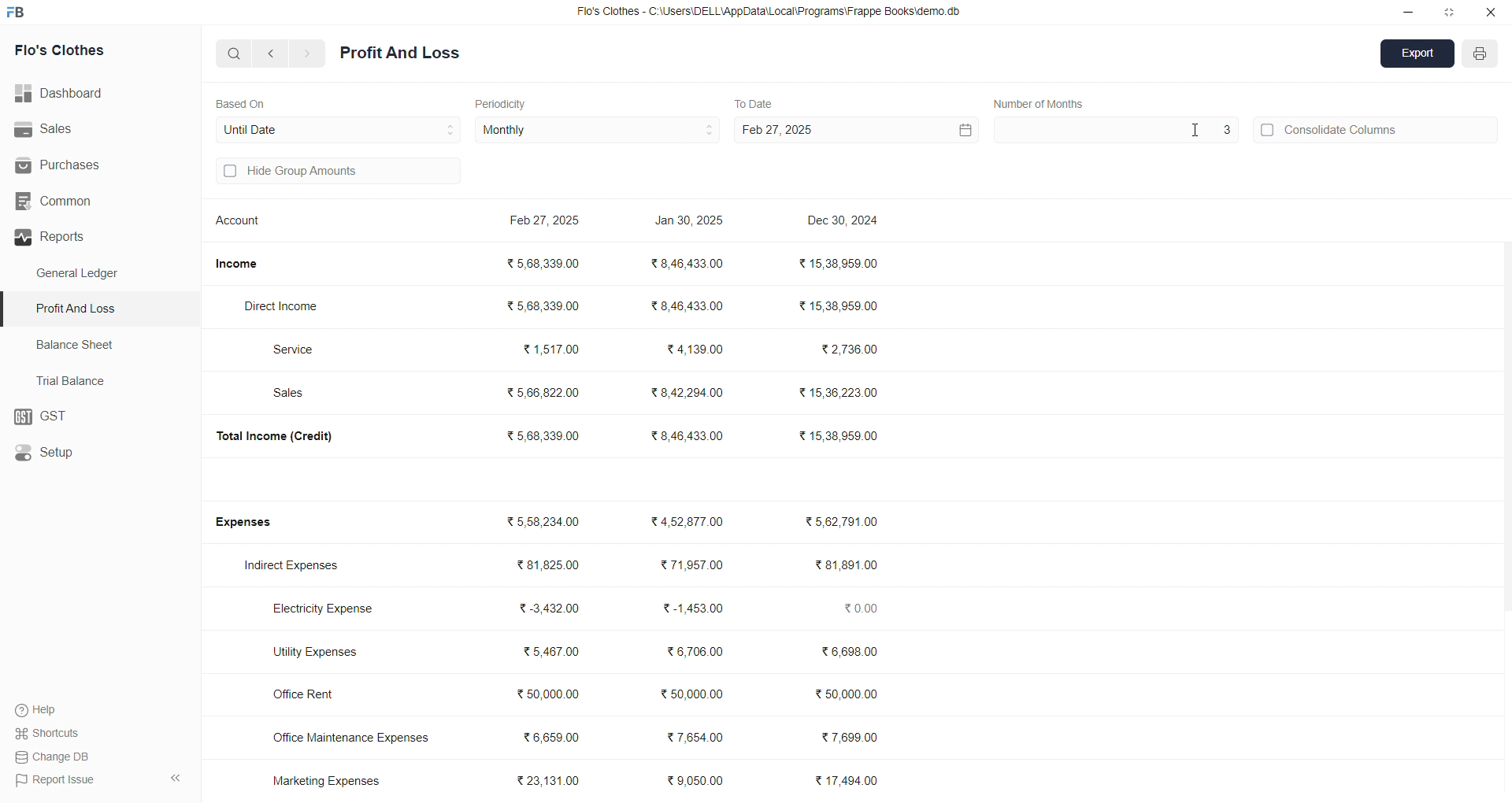 This screenshot has width=1512, height=803. Describe the element at coordinates (1195, 131) in the screenshot. I see `cursor` at that location.